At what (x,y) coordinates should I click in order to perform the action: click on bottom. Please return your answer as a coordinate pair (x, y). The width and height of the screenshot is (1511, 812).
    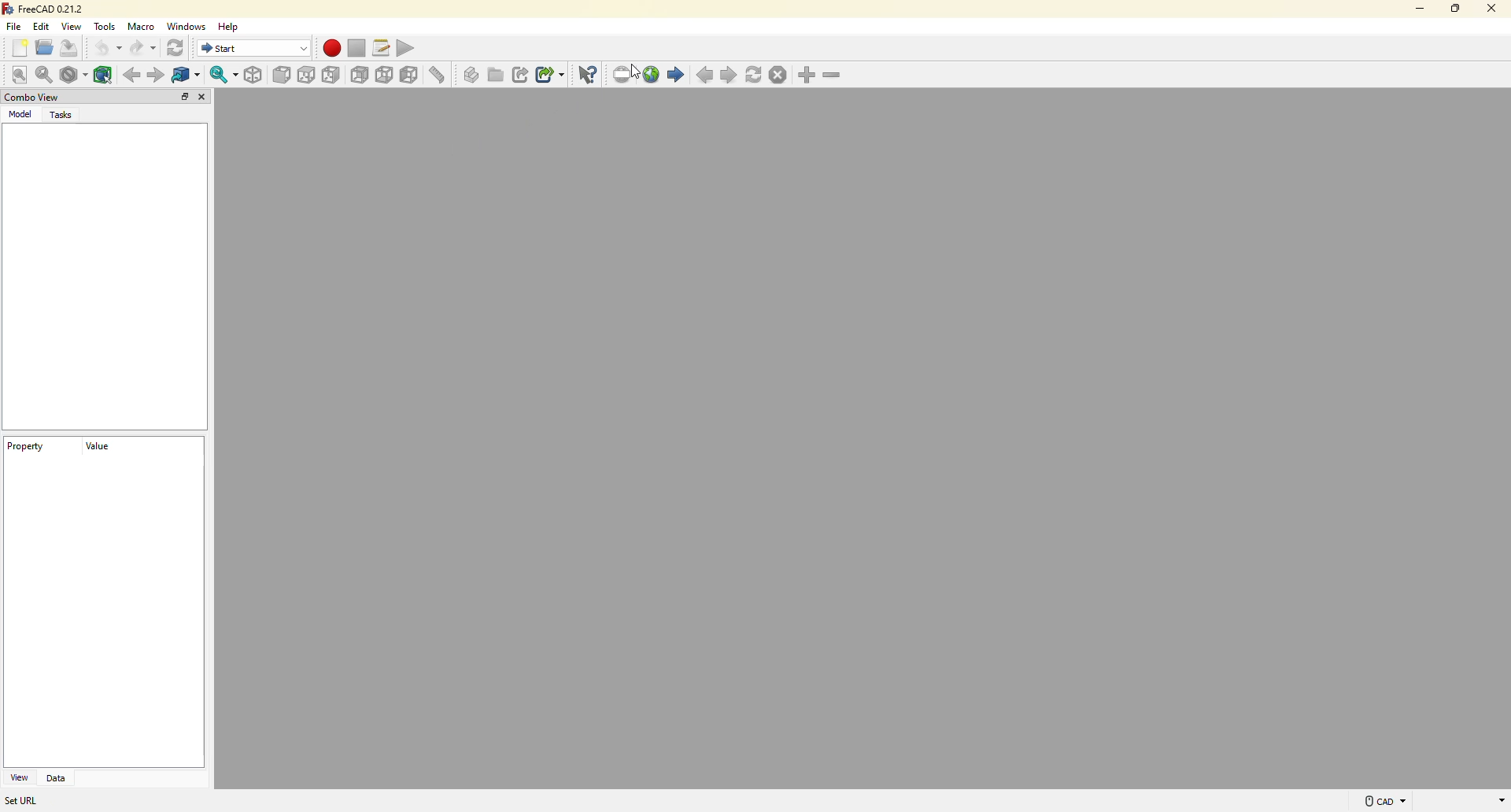
    Looking at the image, I should click on (386, 75).